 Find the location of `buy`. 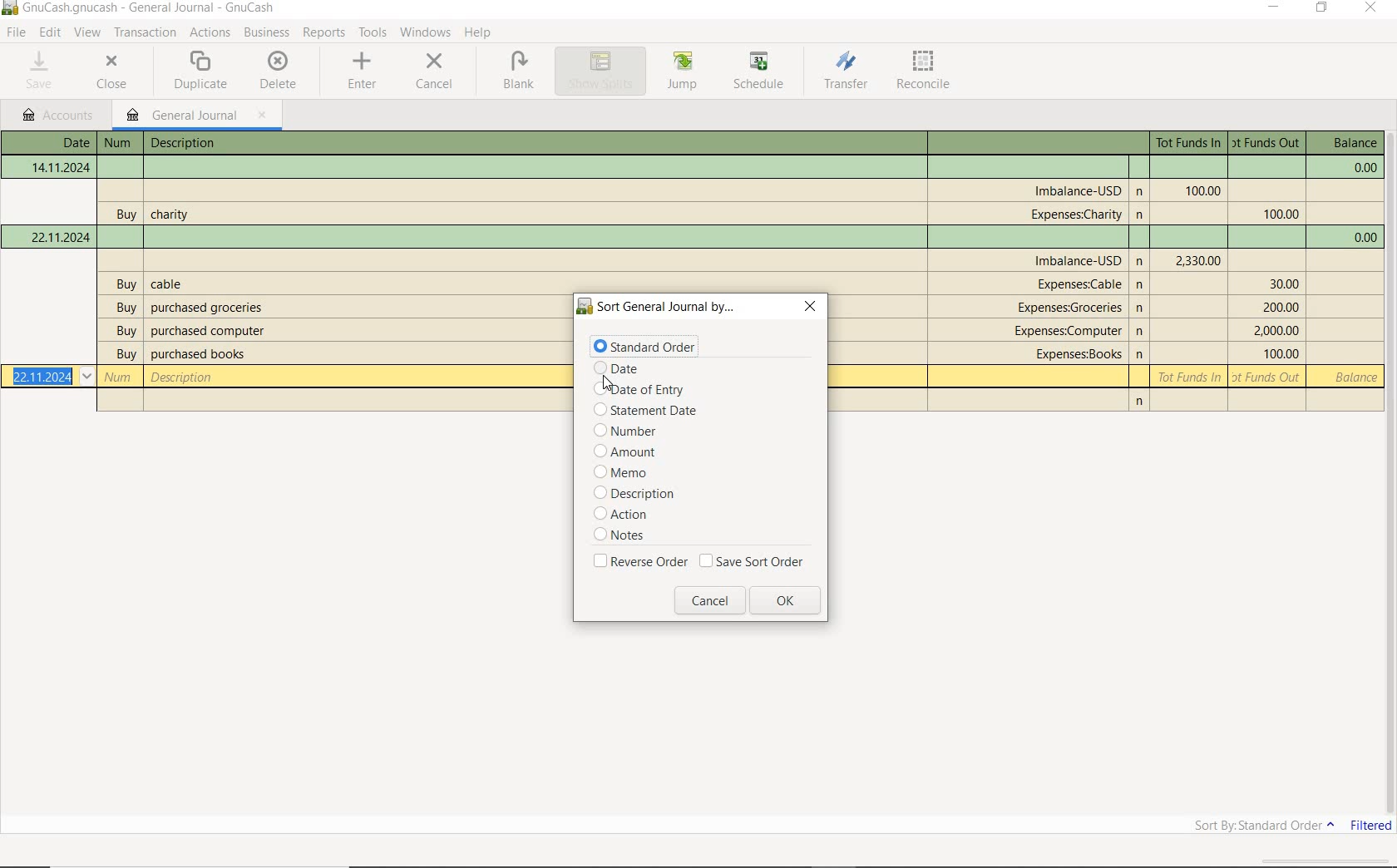

buy is located at coordinates (127, 286).